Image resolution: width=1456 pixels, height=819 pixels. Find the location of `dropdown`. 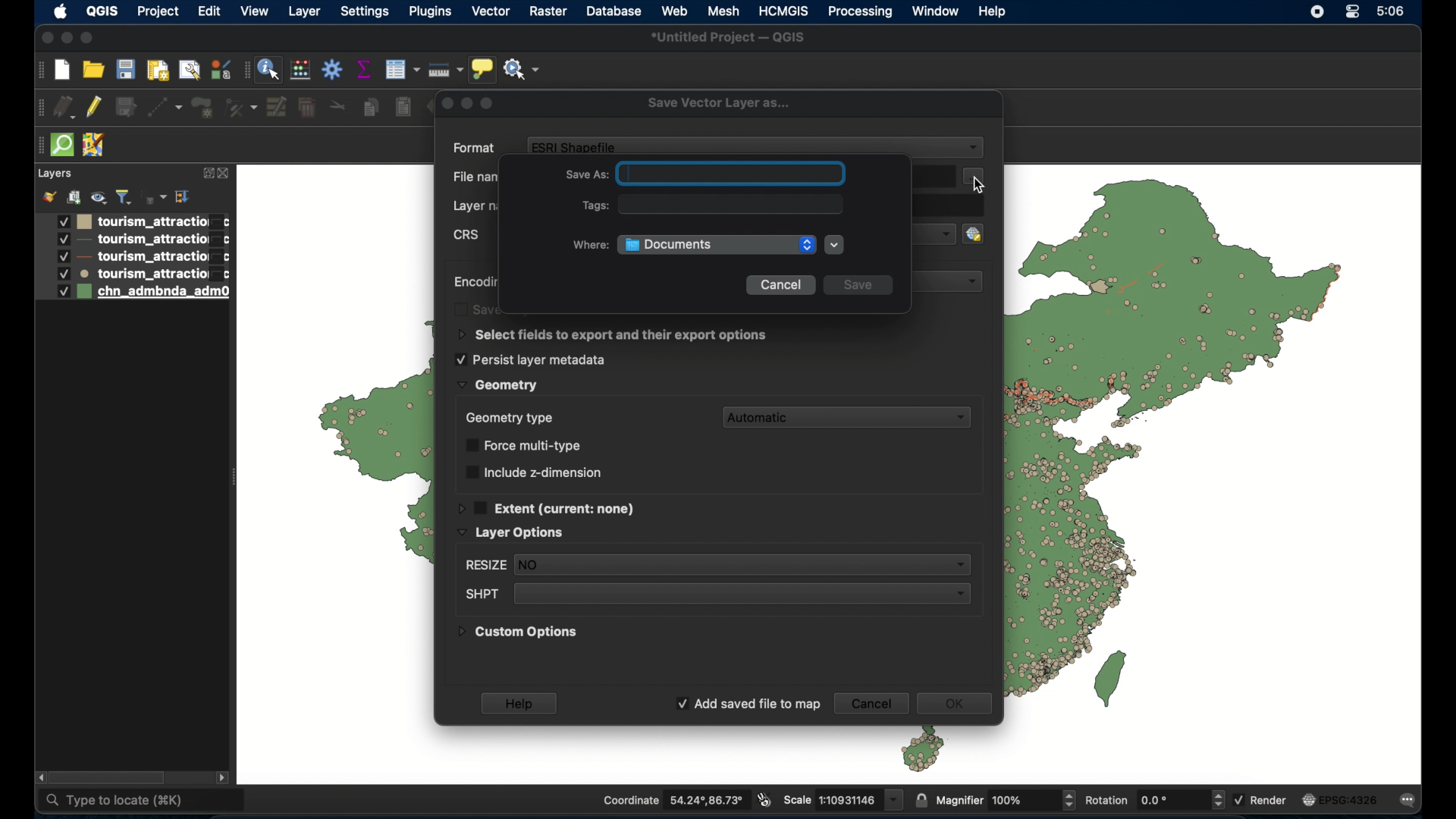

dropdown is located at coordinates (935, 233).